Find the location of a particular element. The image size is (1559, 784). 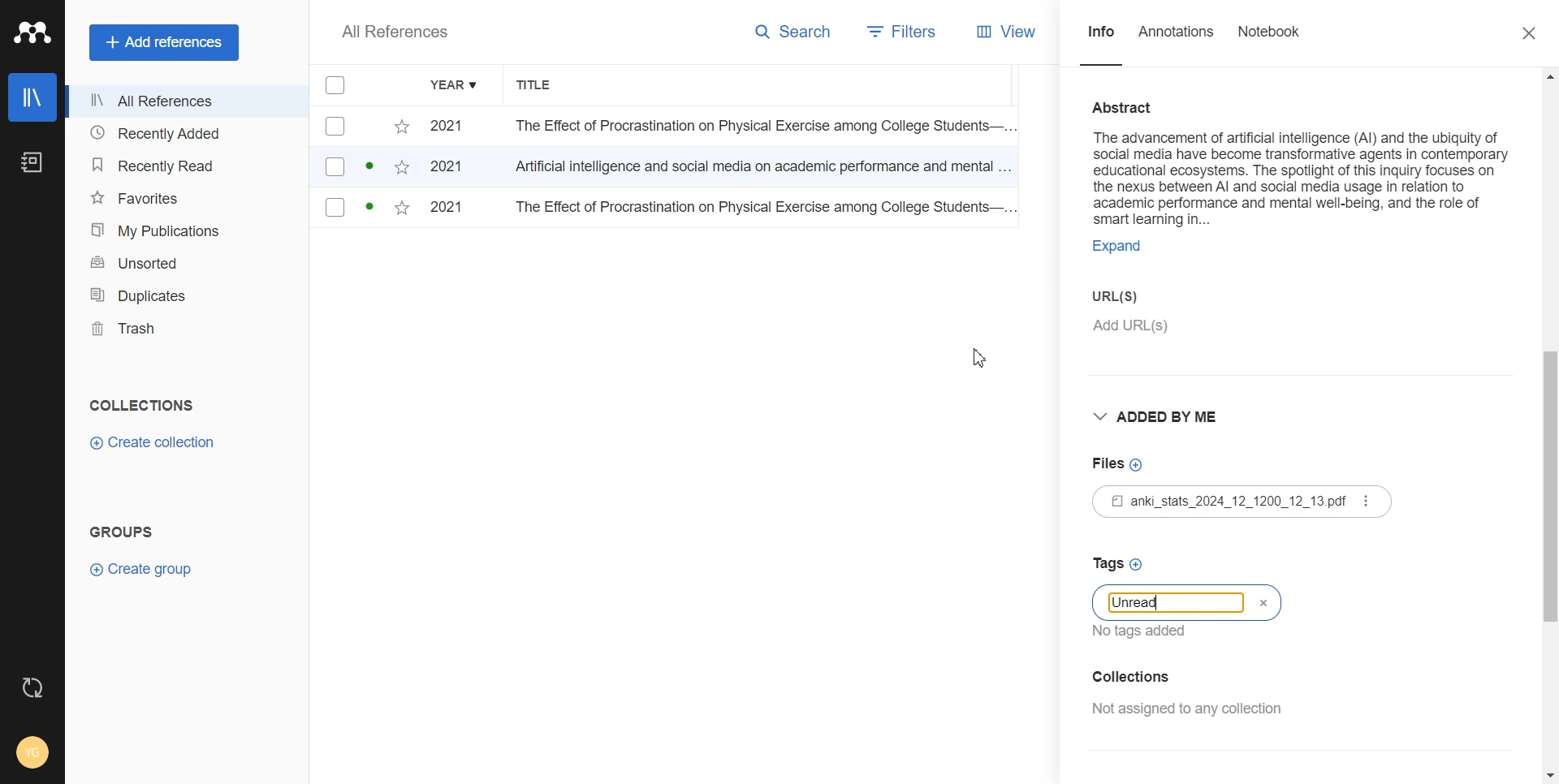

Cursor is located at coordinates (984, 356).